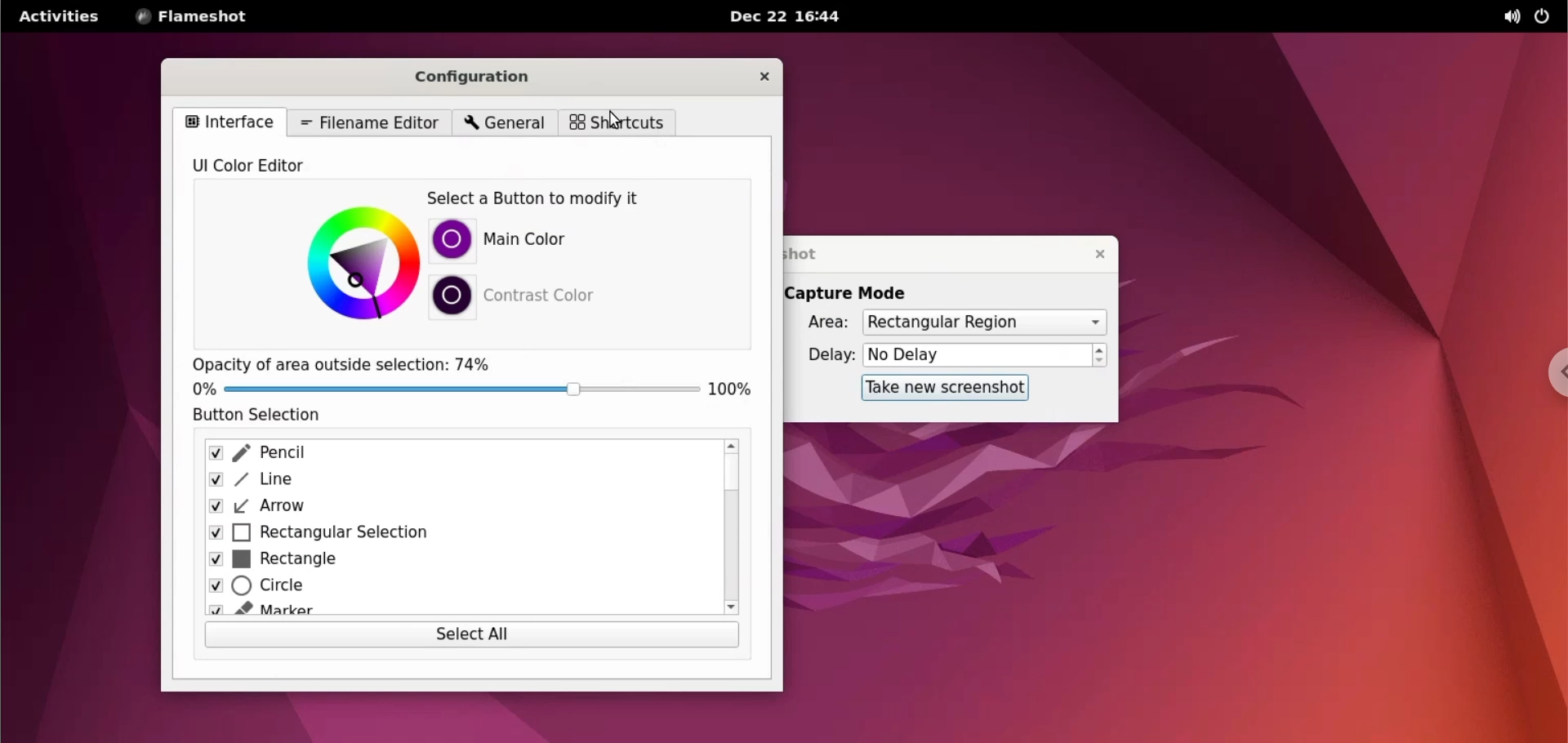  What do you see at coordinates (542, 194) in the screenshot?
I see `select a button to modify it ` at bounding box center [542, 194].